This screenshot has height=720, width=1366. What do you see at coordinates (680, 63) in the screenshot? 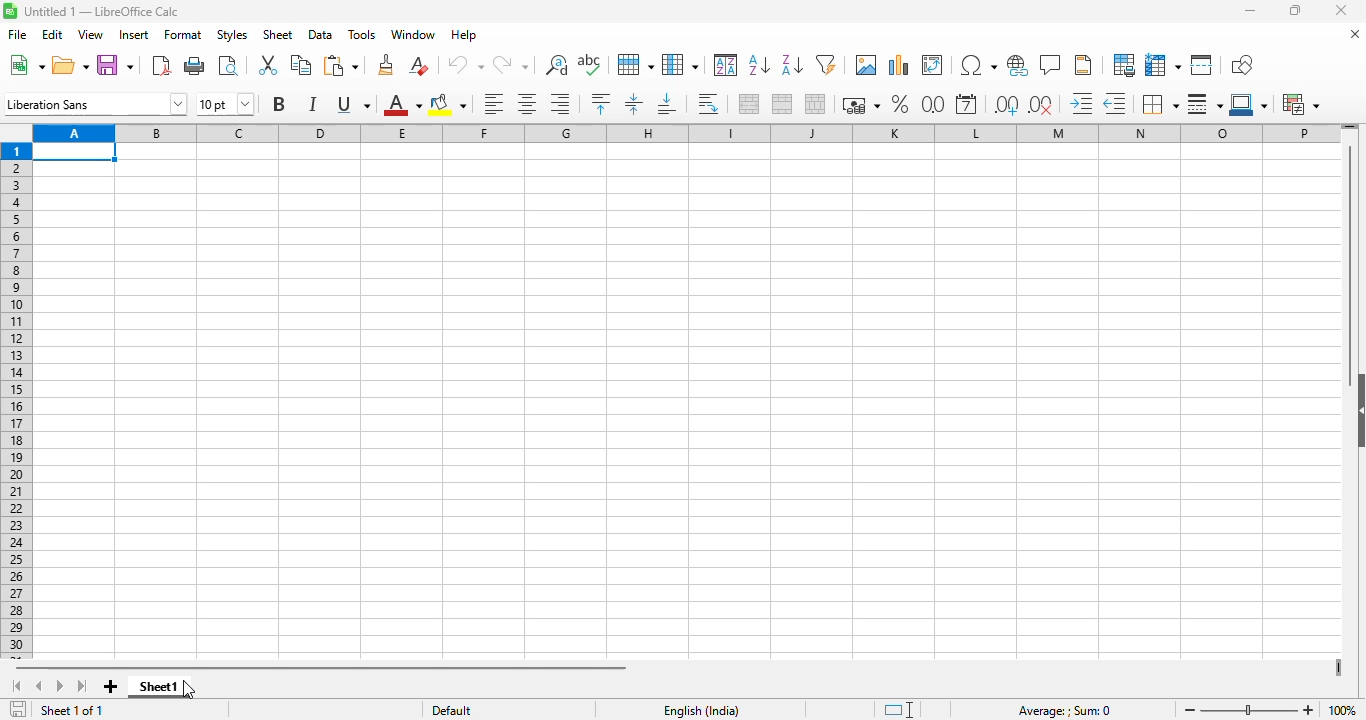
I see `column` at bounding box center [680, 63].